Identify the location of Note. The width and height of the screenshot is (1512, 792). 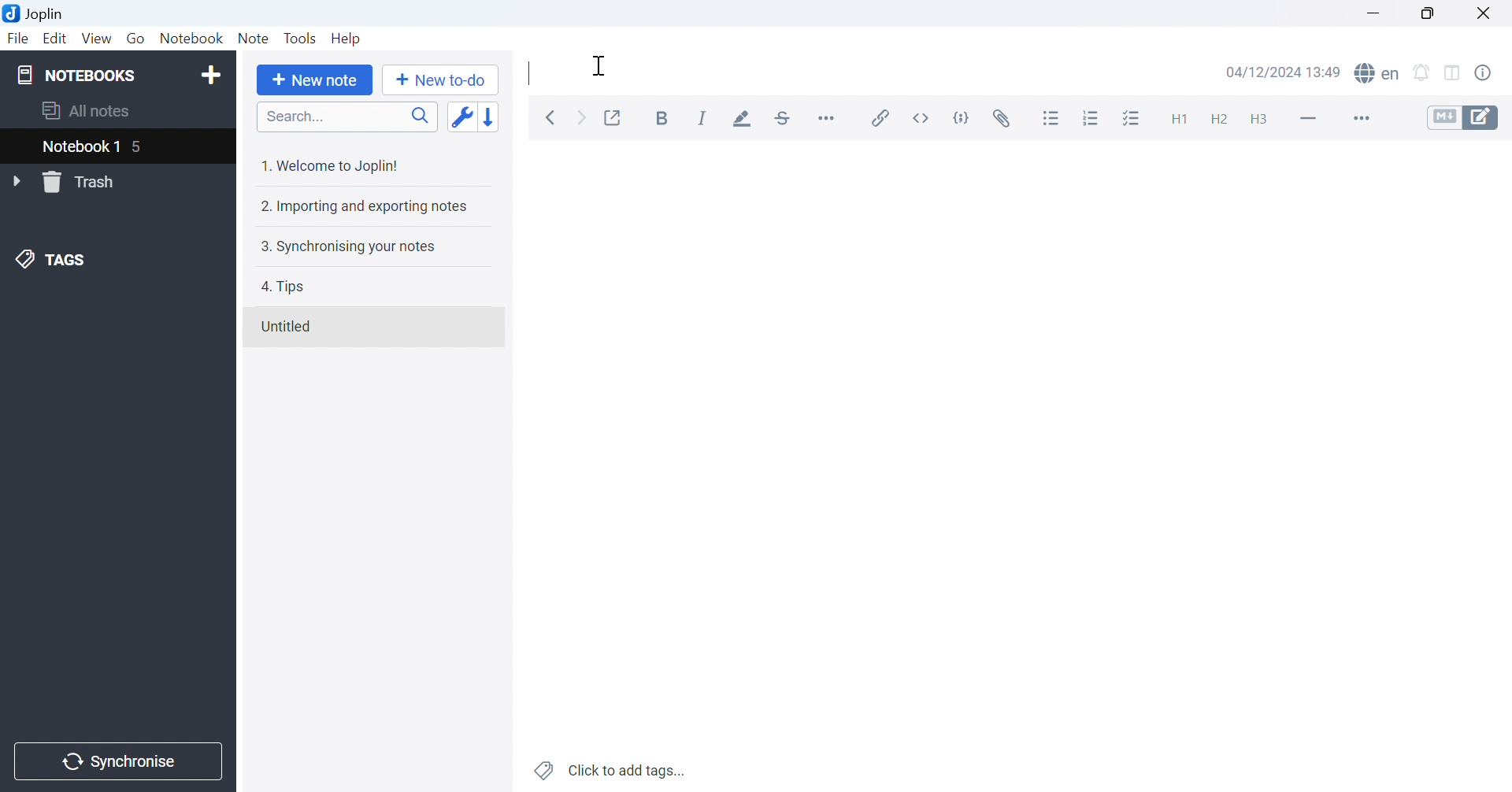
(254, 38).